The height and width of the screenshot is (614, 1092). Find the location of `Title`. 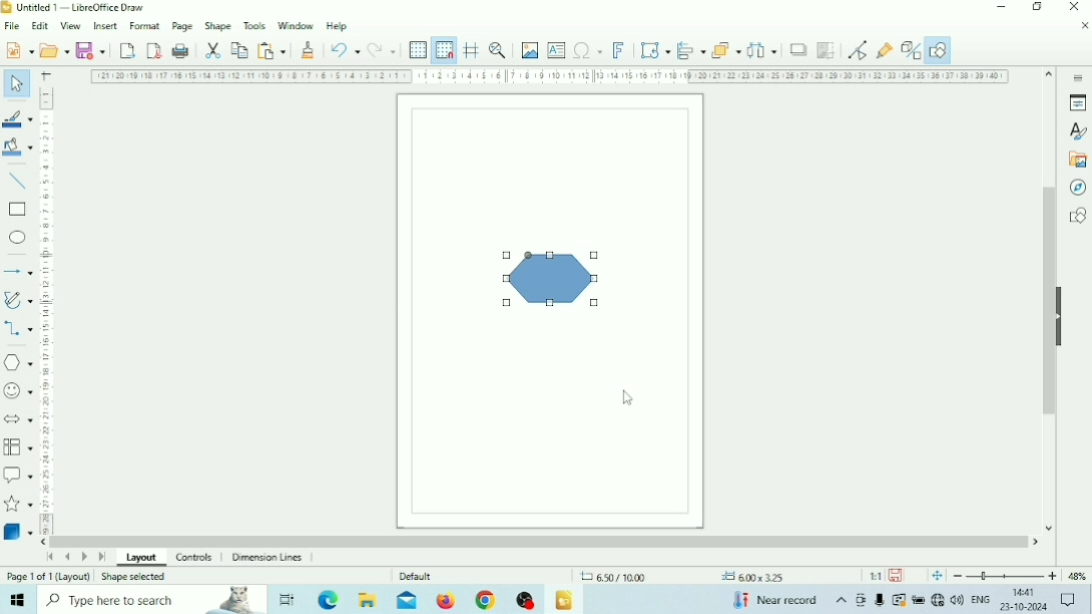

Title is located at coordinates (80, 7).